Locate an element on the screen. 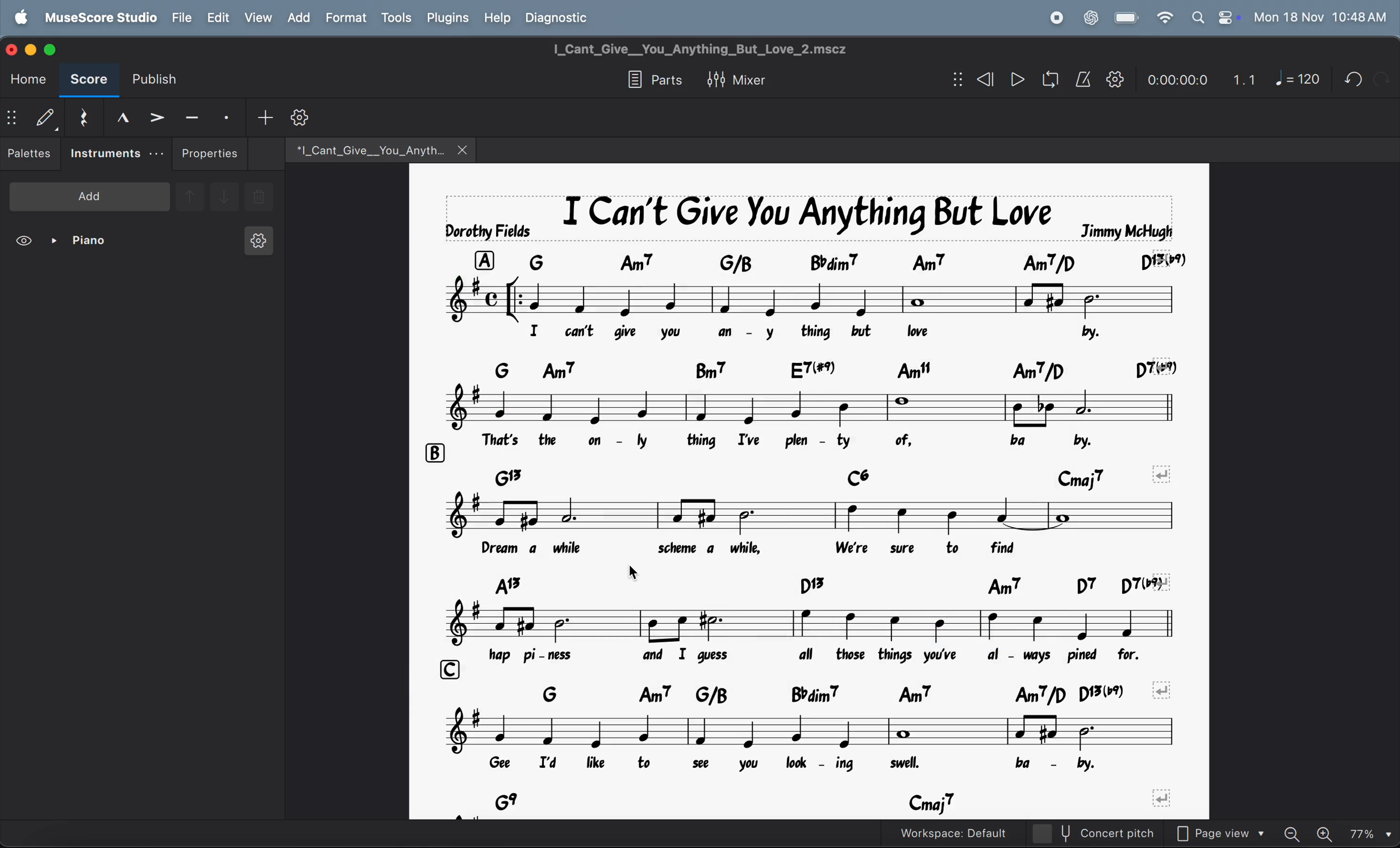  minimize is located at coordinates (33, 48).